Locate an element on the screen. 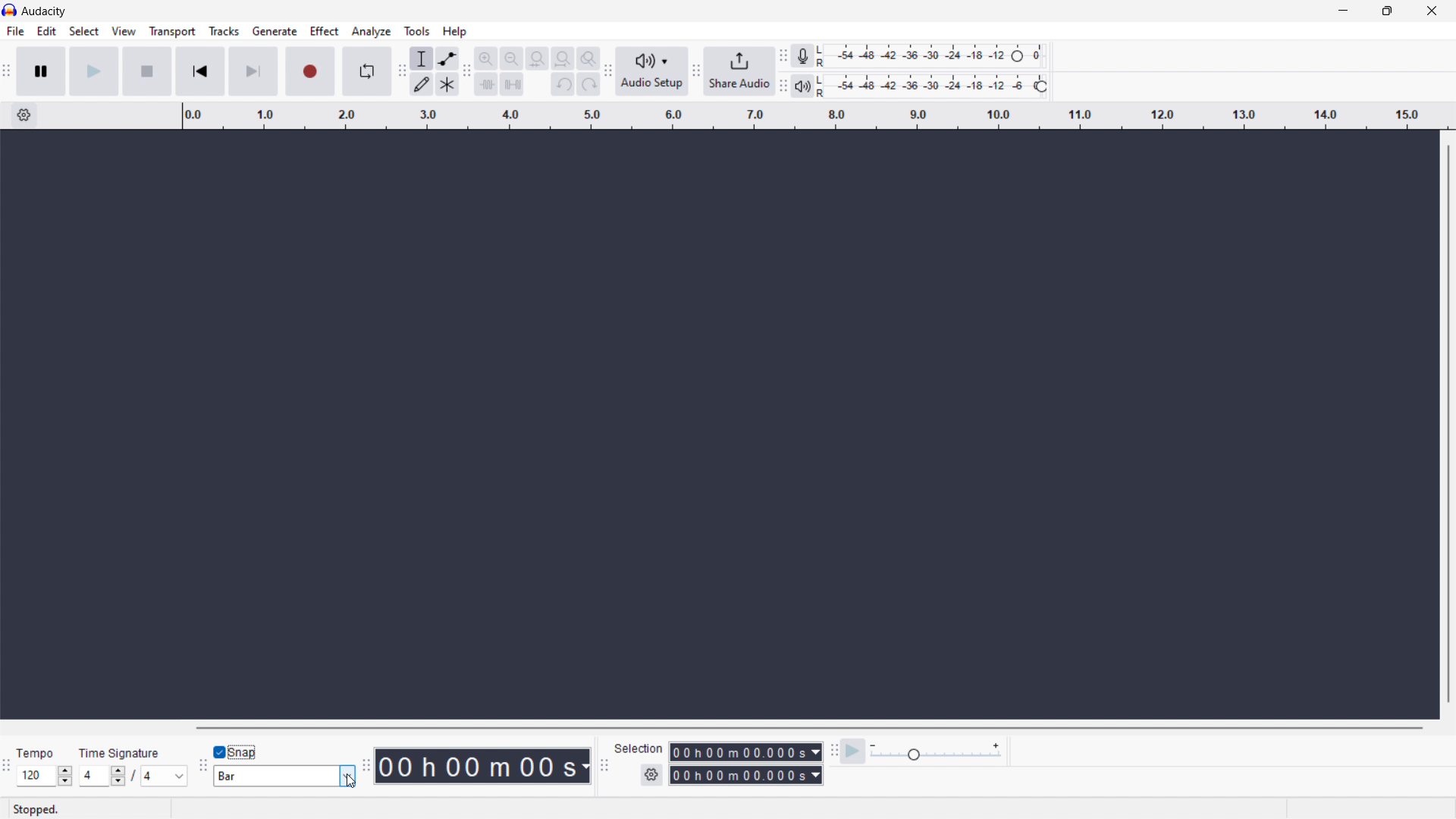  snapping toolbar is located at coordinates (202, 764).